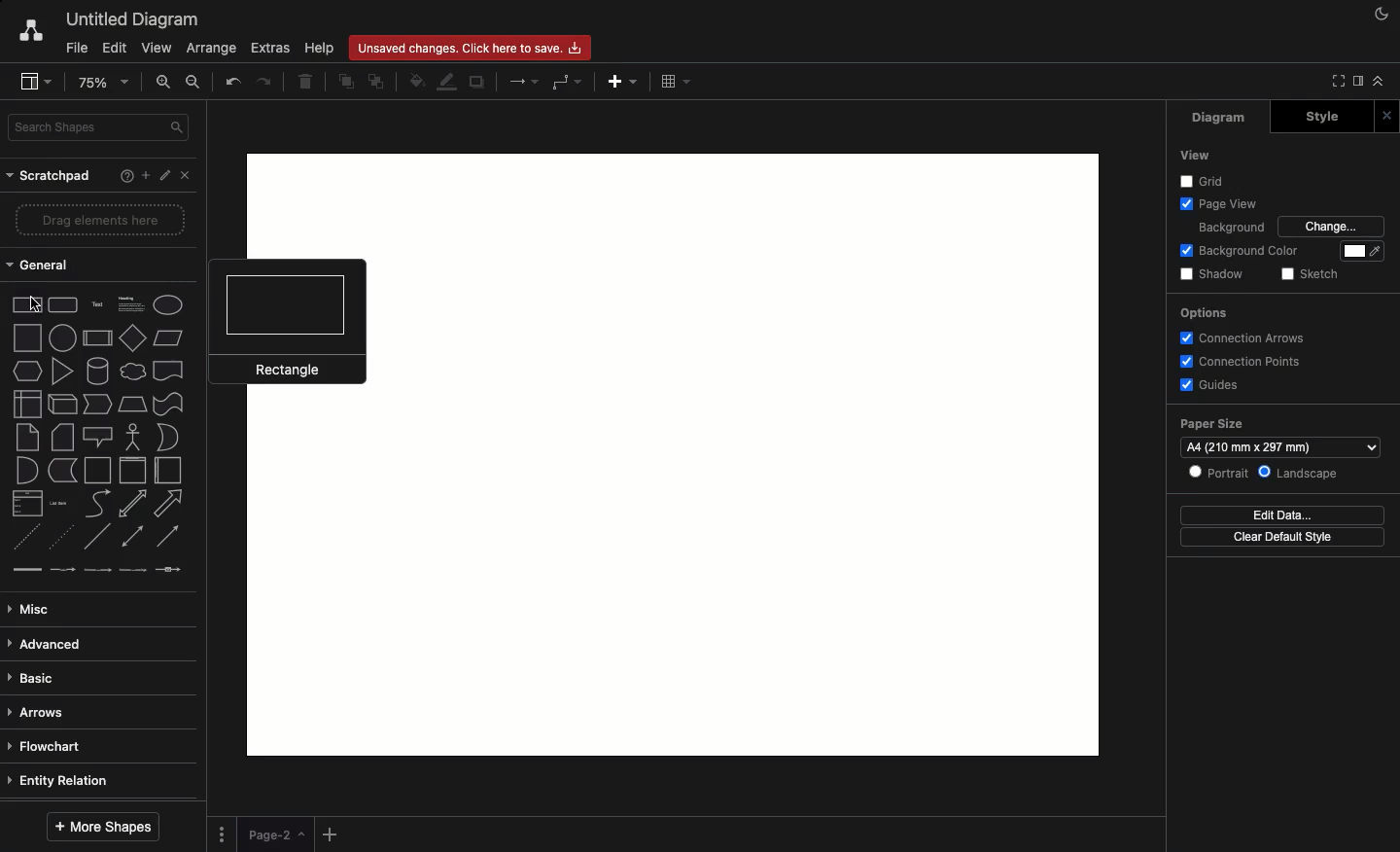 Image resolution: width=1400 pixels, height=852 pixels. What do you see at coordinates (168, 304) in the screenshot?
I see `Eclipse` at bounding box center [168, 304].